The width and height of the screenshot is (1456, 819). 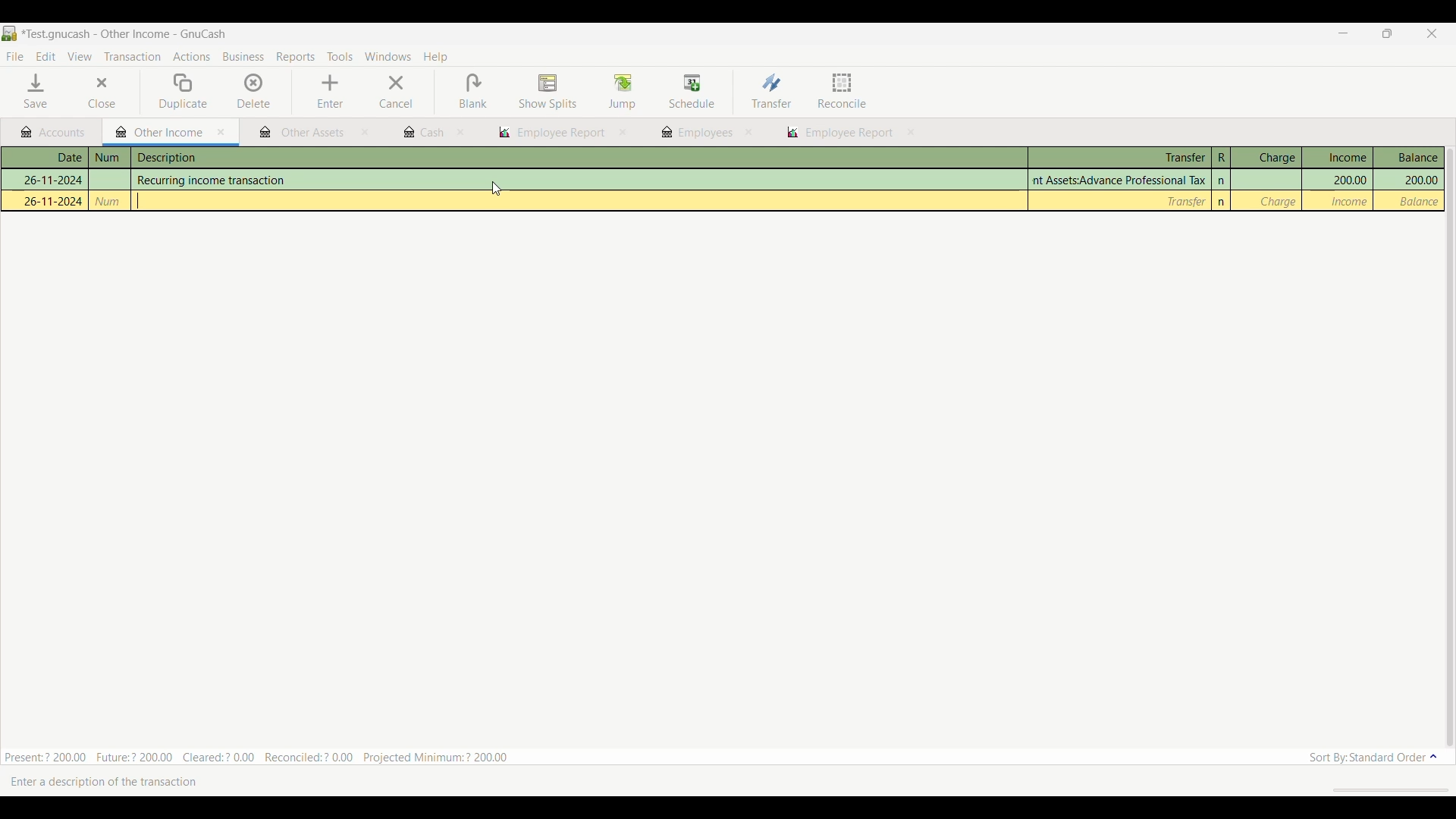 What do you see at coordinates (124, 35) in the screenshot?
I see `Project and software name ` at bounding box center [124, 35].